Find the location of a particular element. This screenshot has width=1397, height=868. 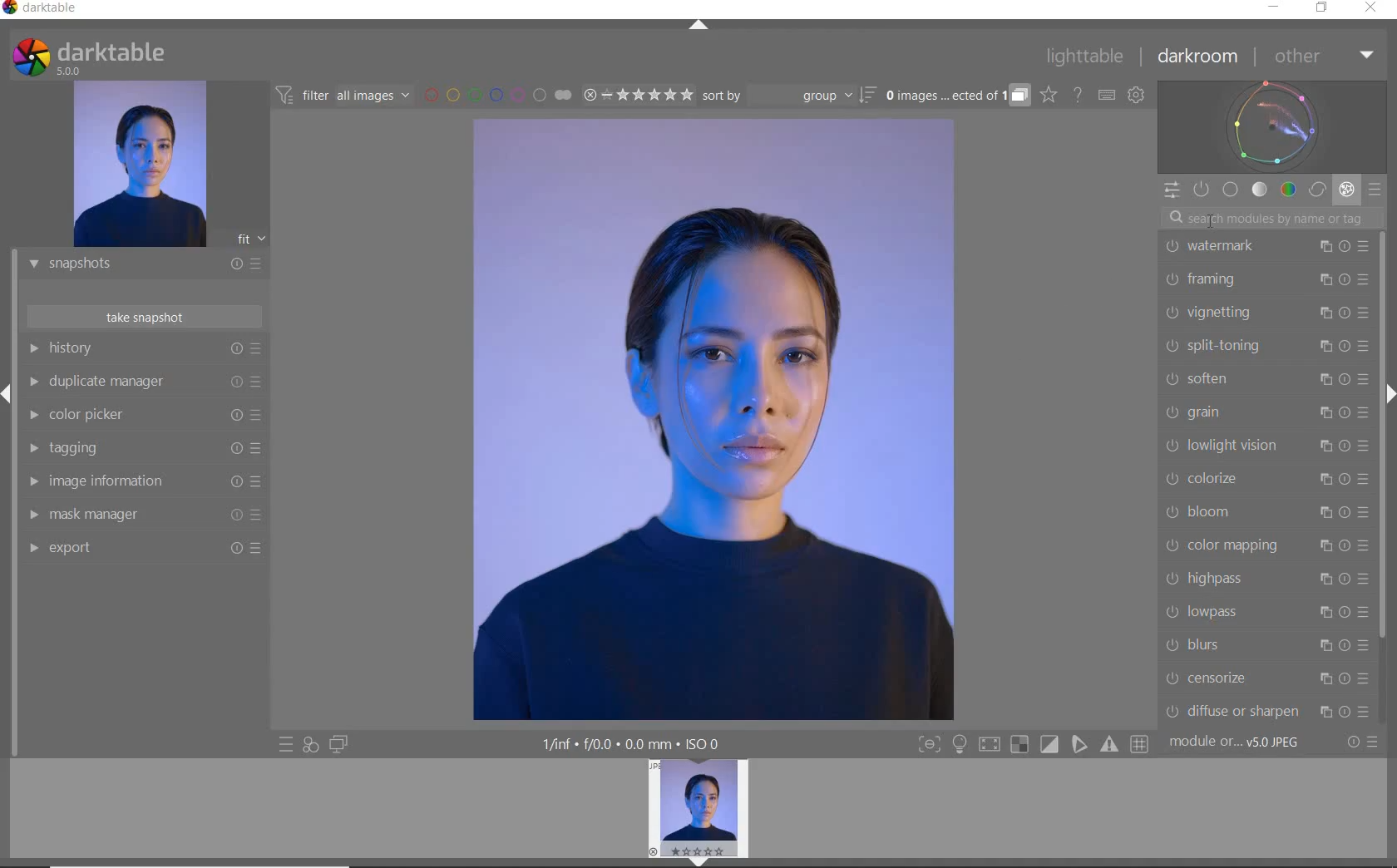

OTHER is located at coordinates (1322, 57).